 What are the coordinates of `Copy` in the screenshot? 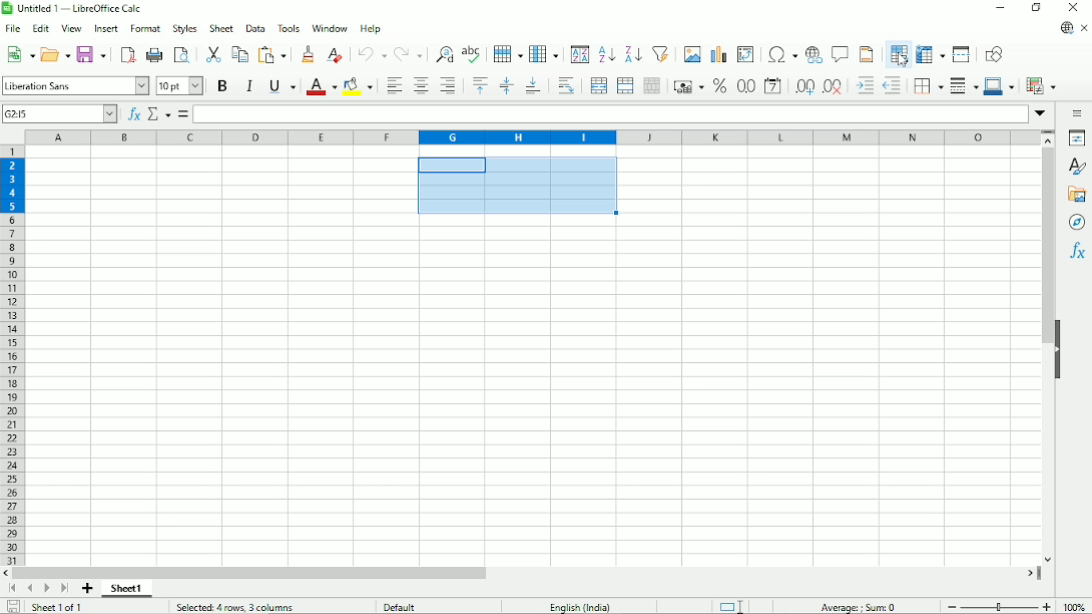 It's located at (239, 54).